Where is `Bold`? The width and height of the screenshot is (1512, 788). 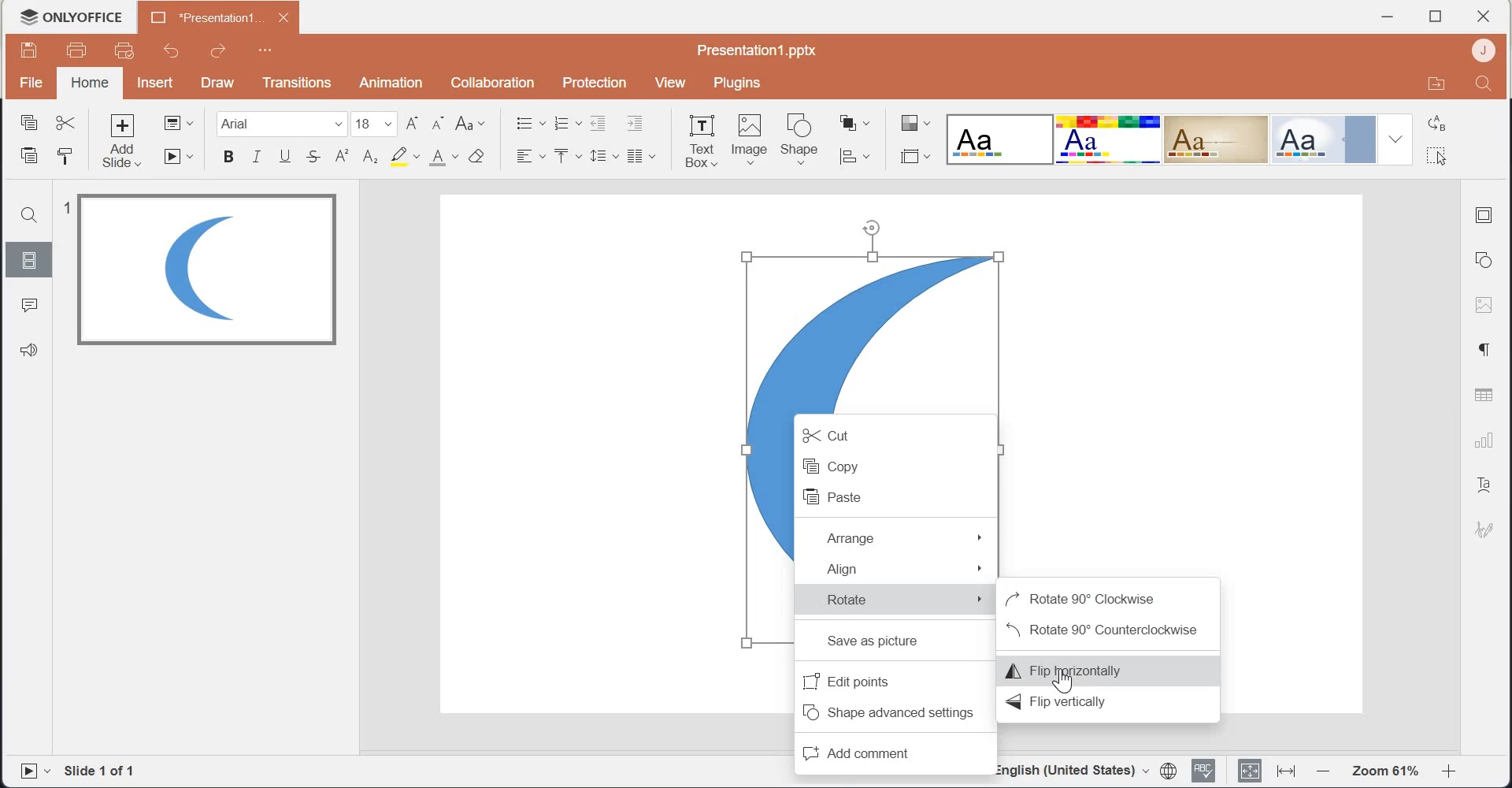
Bold is located at coordinates (229, 157).